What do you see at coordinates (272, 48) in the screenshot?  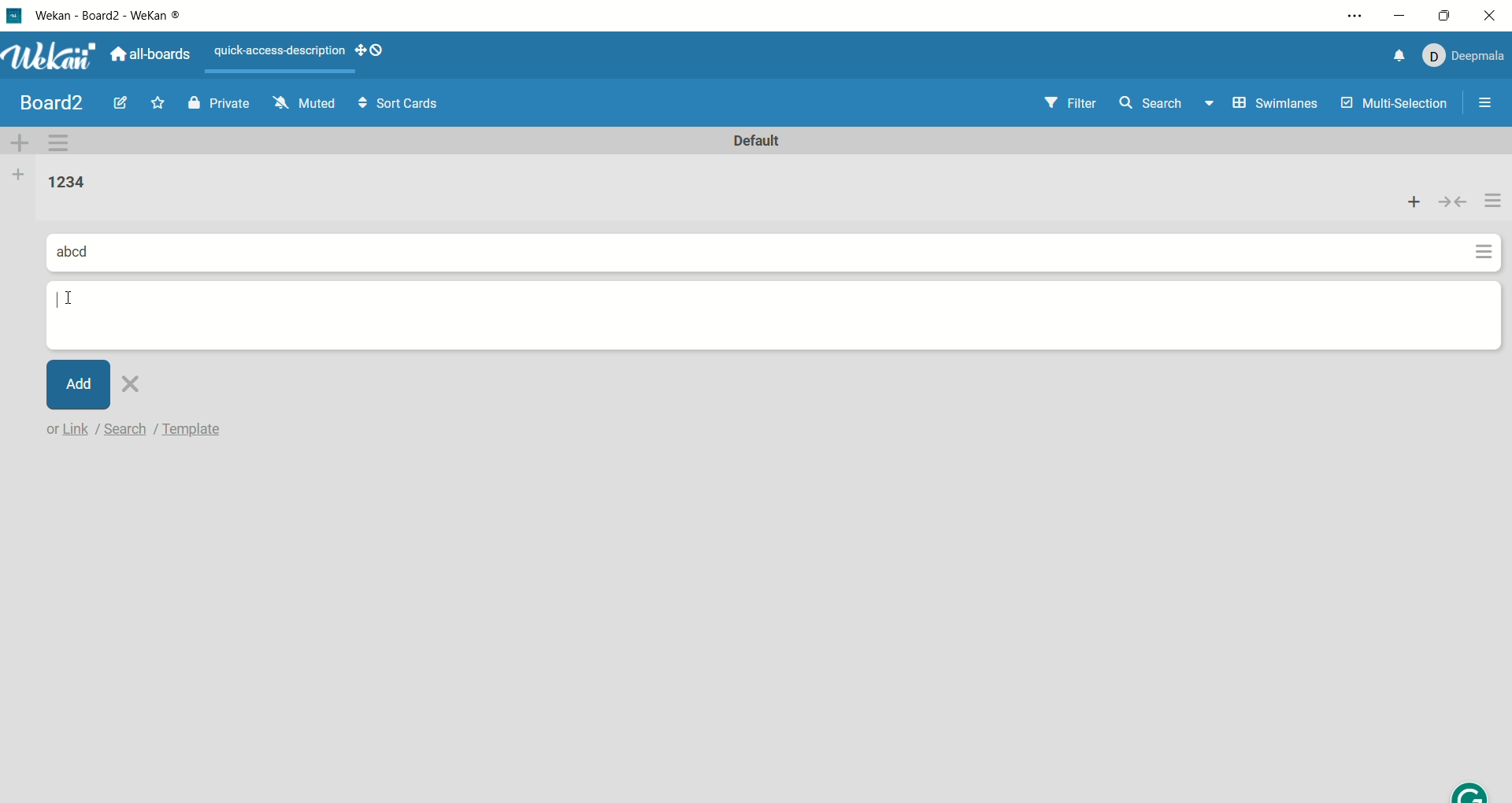 I see `text` at bounding box center [272, 48].